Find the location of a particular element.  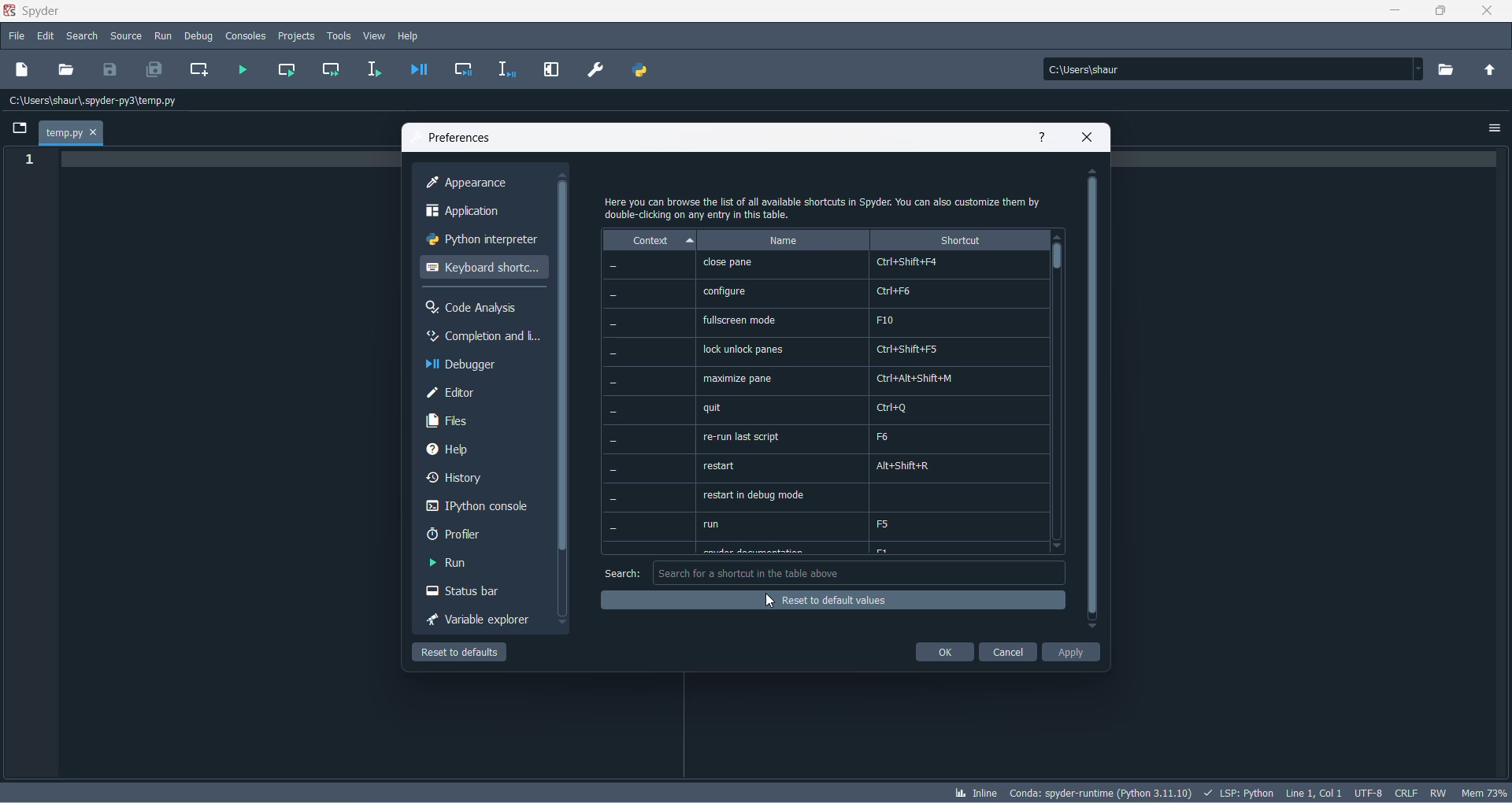

help is located at coordinates (474, 452).